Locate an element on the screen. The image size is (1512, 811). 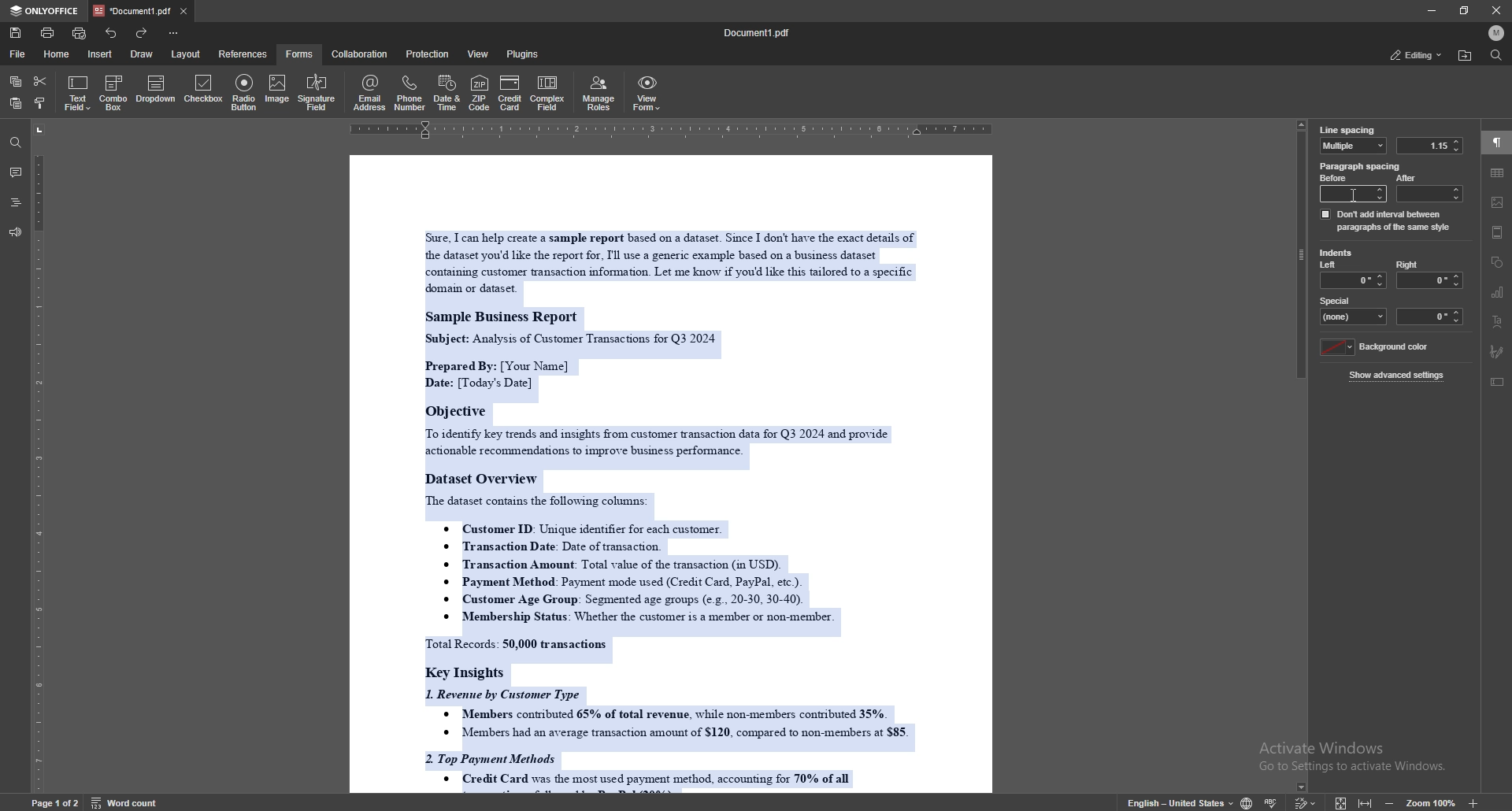
close tab is located at coordinates (183, 10).